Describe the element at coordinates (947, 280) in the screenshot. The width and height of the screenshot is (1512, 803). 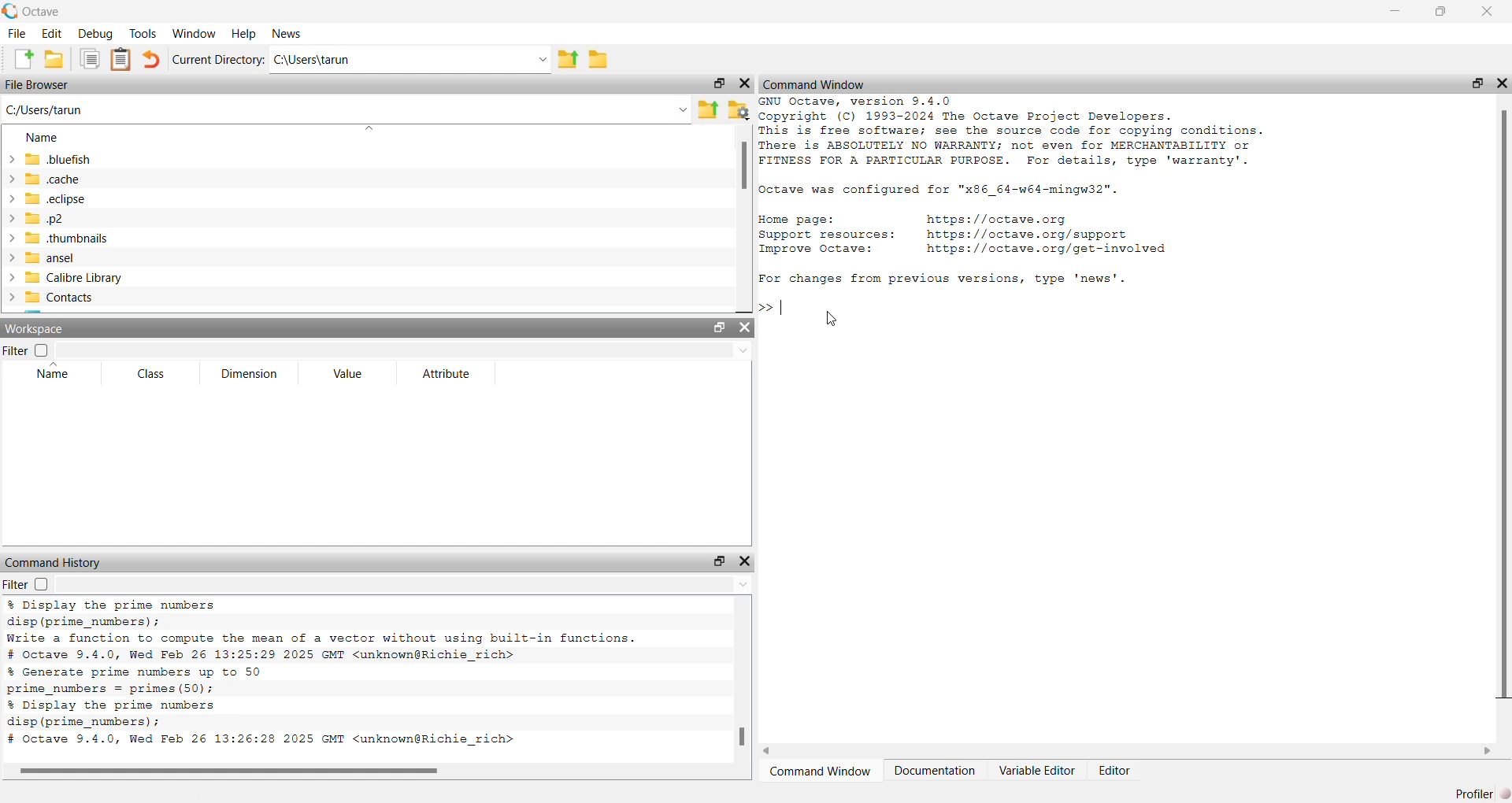
I see `For changes from previous versions, type 'news'.` at that location.